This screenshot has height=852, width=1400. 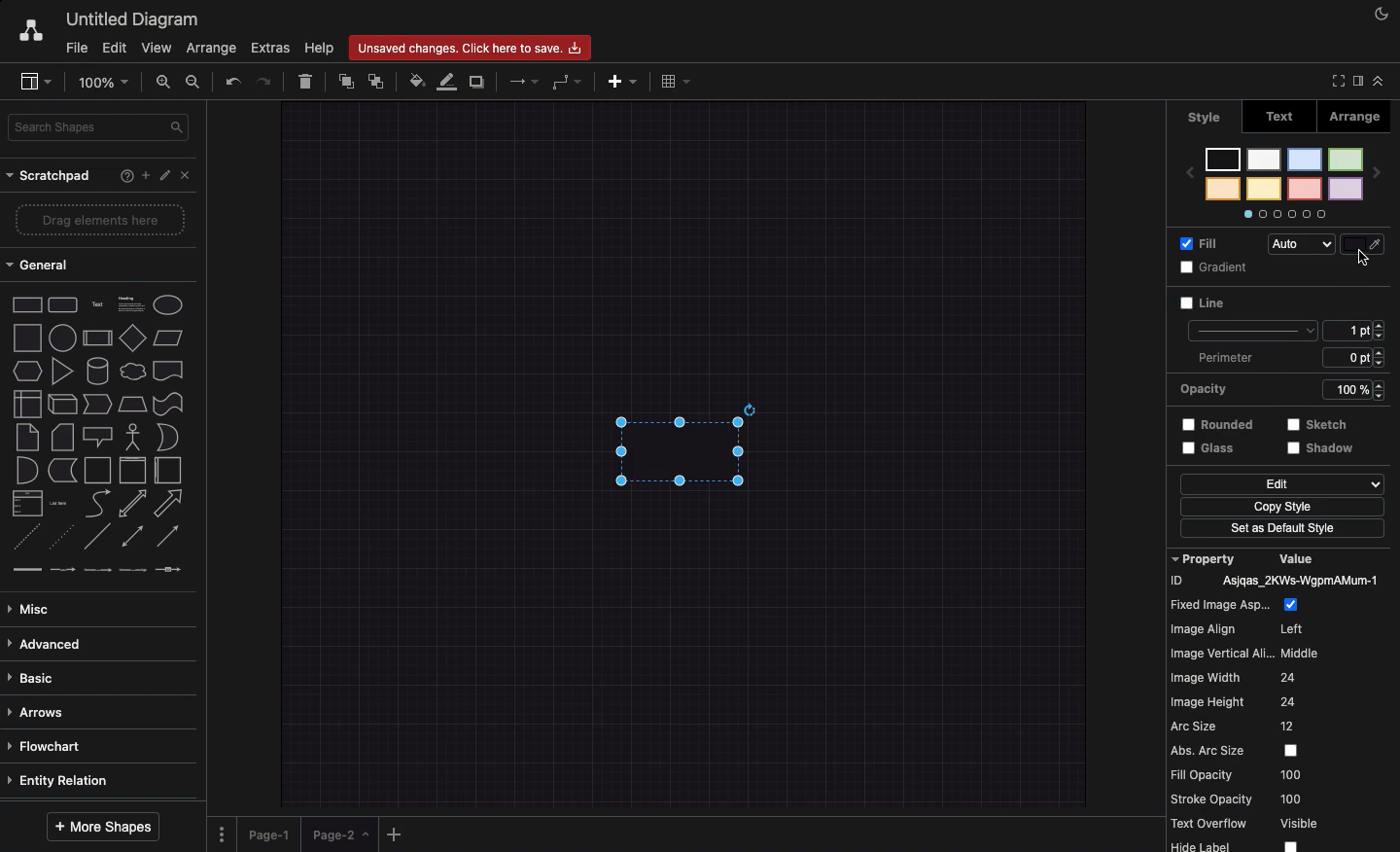 What do you see at coordinates (37, 83) in the screenshot?
I see `Sidebar` at bounding box center [37, 83].